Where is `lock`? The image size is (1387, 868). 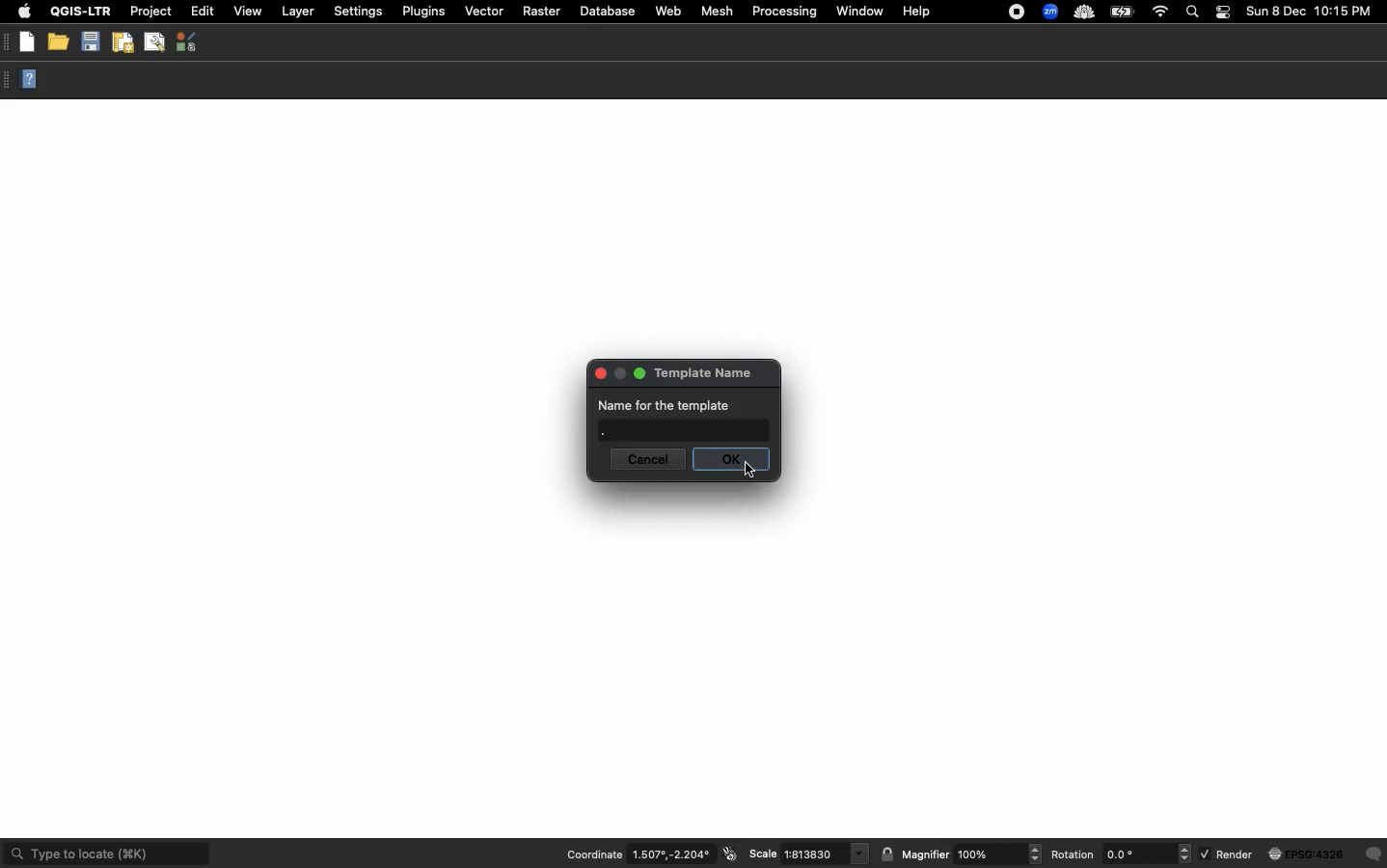 lock is located at coordinates (889, 854).